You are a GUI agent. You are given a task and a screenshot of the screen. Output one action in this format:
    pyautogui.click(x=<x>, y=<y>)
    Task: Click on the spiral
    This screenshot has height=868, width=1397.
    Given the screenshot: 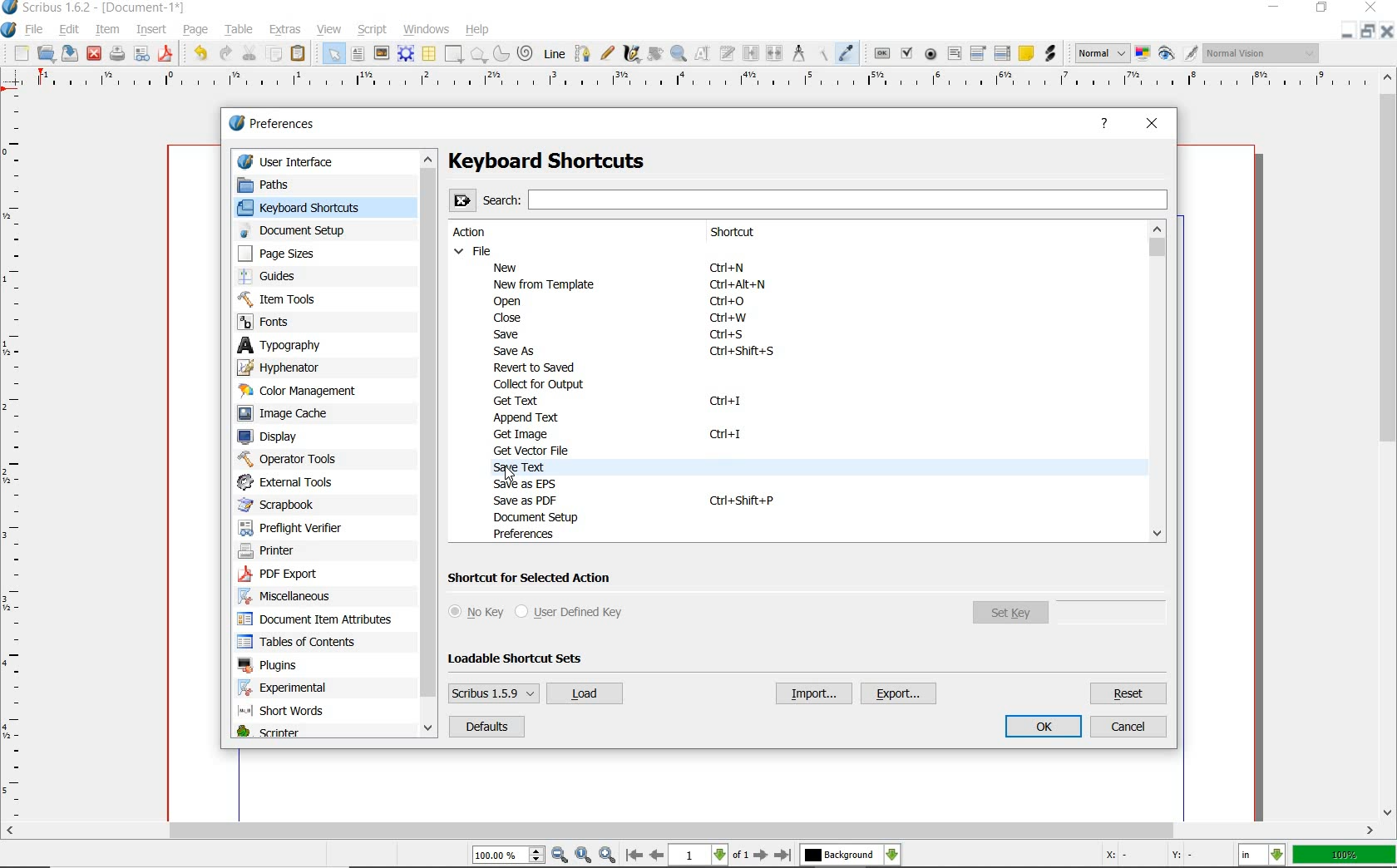 What is the action you would take?
    pyautogui.click(x=526, y=52)
    